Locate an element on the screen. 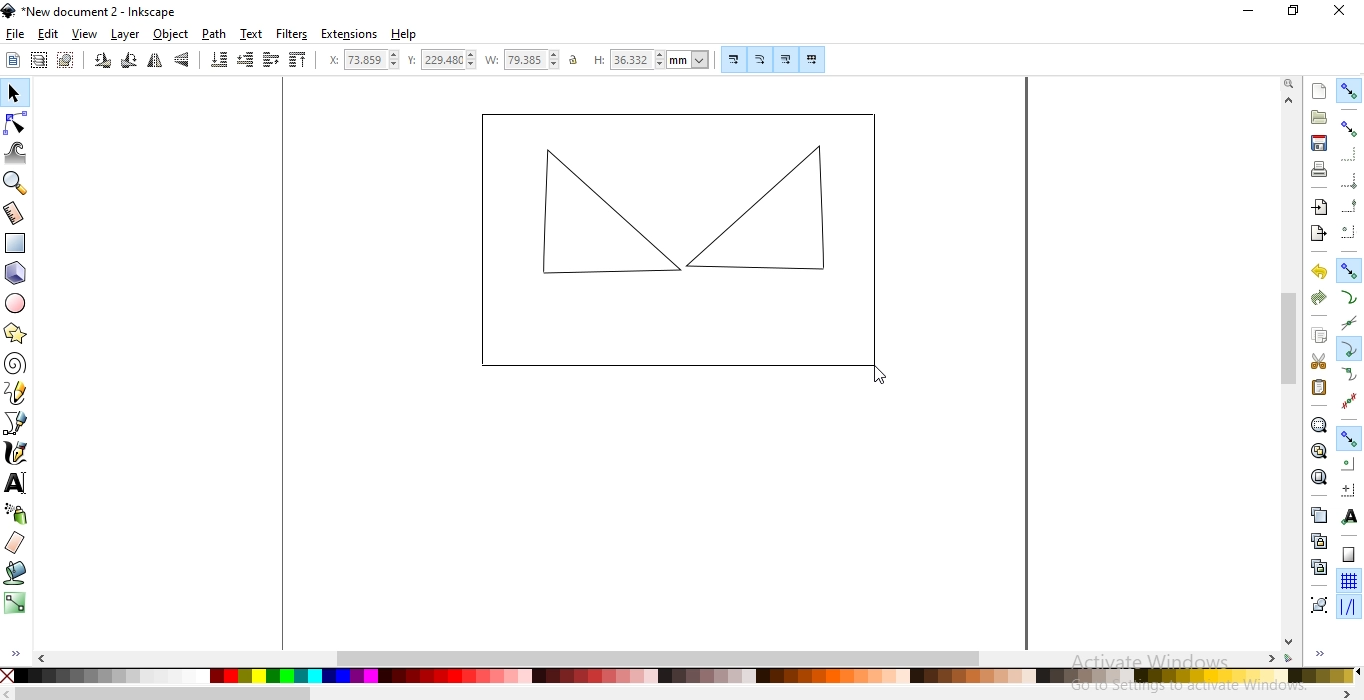 The height and width of the screenshot is (700, 1364). open an existing document is located at coordinates (1319, 117).